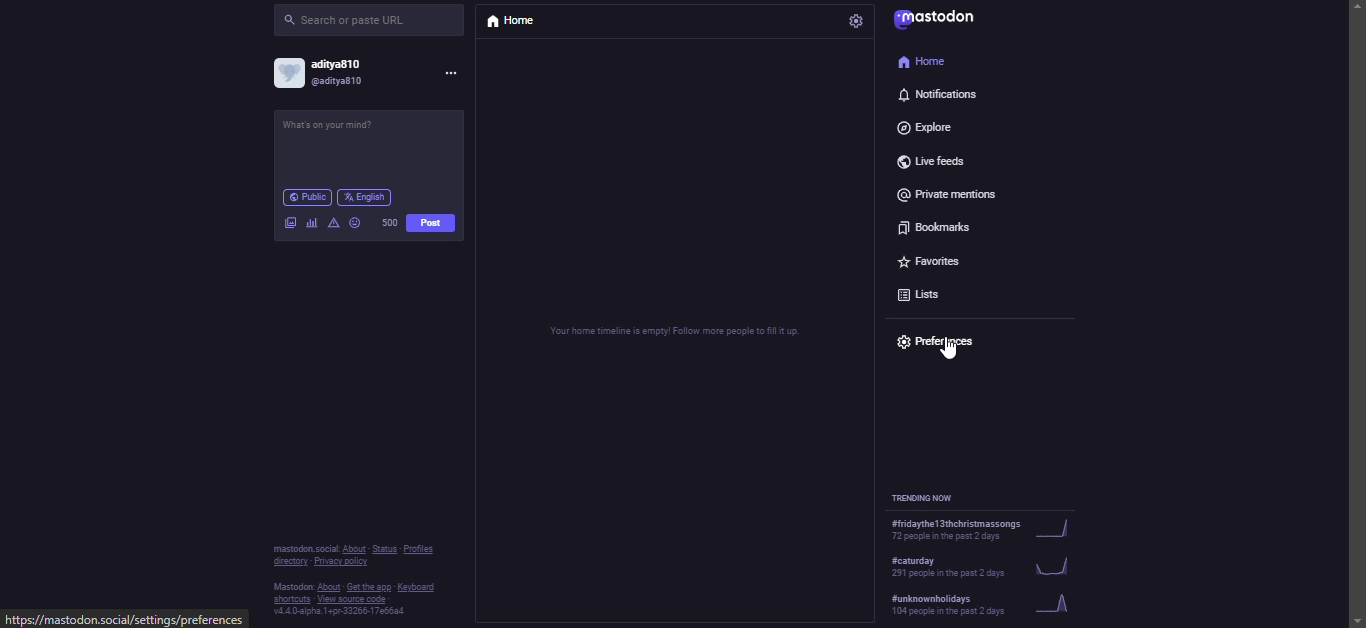 The height and width of the screenshot is (628, 1366). Describe the element at coordinates (955, 194) in the screenshot. I see `private mentions` at that location.